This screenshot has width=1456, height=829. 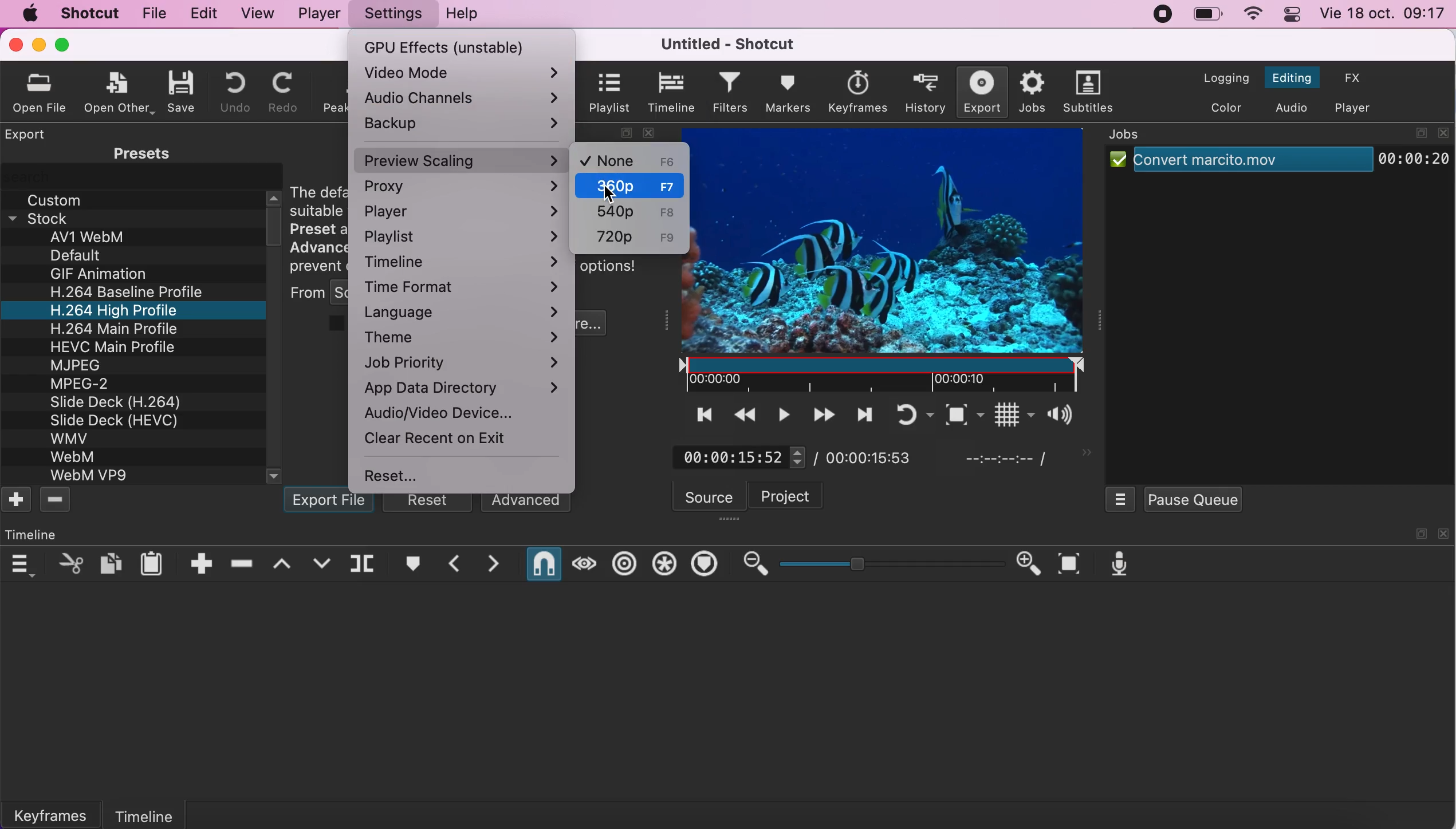 What do you see at coordinates (88, 13) in the screenshot?
I see `shotcut` at bounding box center [88, 13].